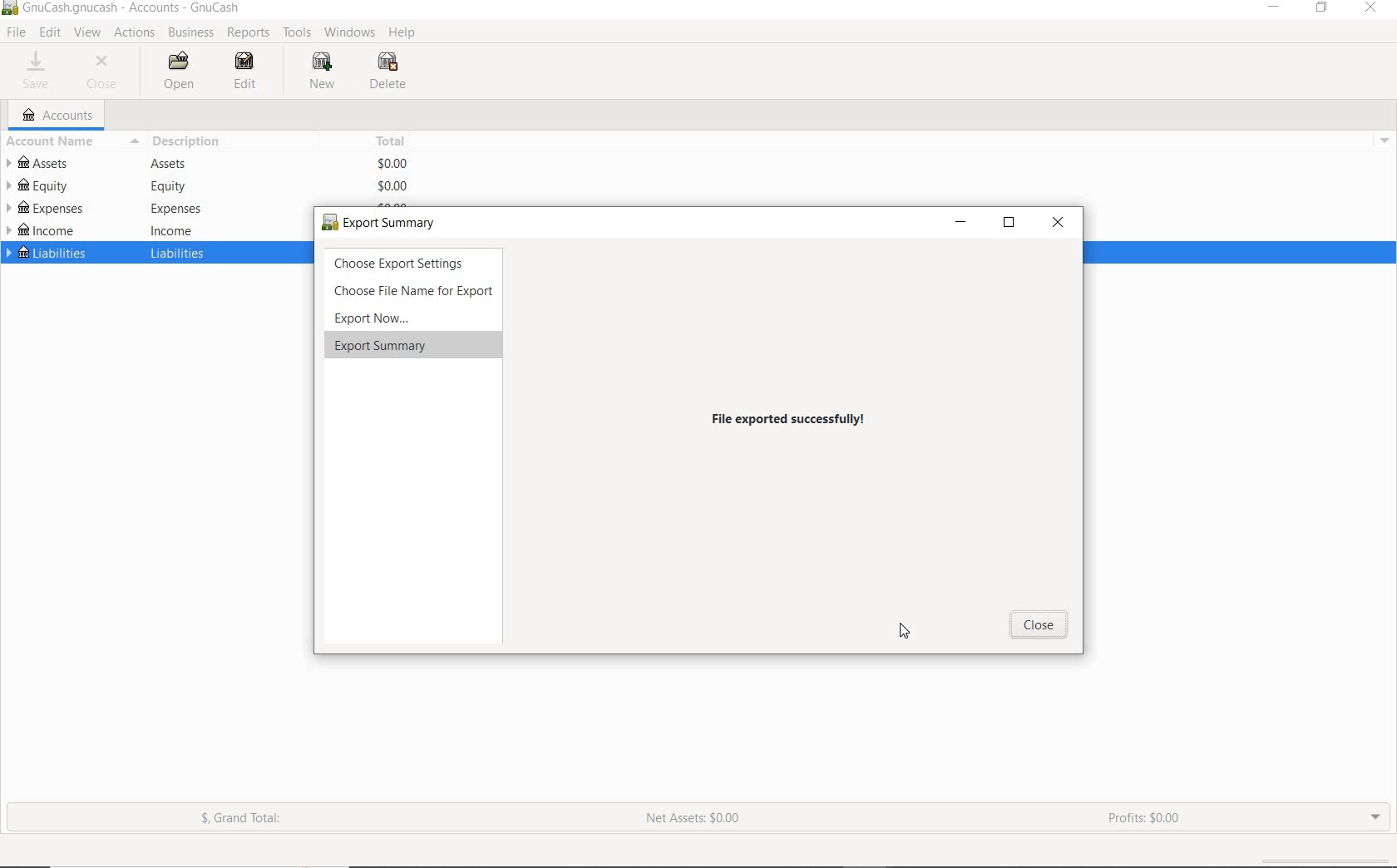 The image size is (1397, 868). I want to click on income, so click(170, 229).